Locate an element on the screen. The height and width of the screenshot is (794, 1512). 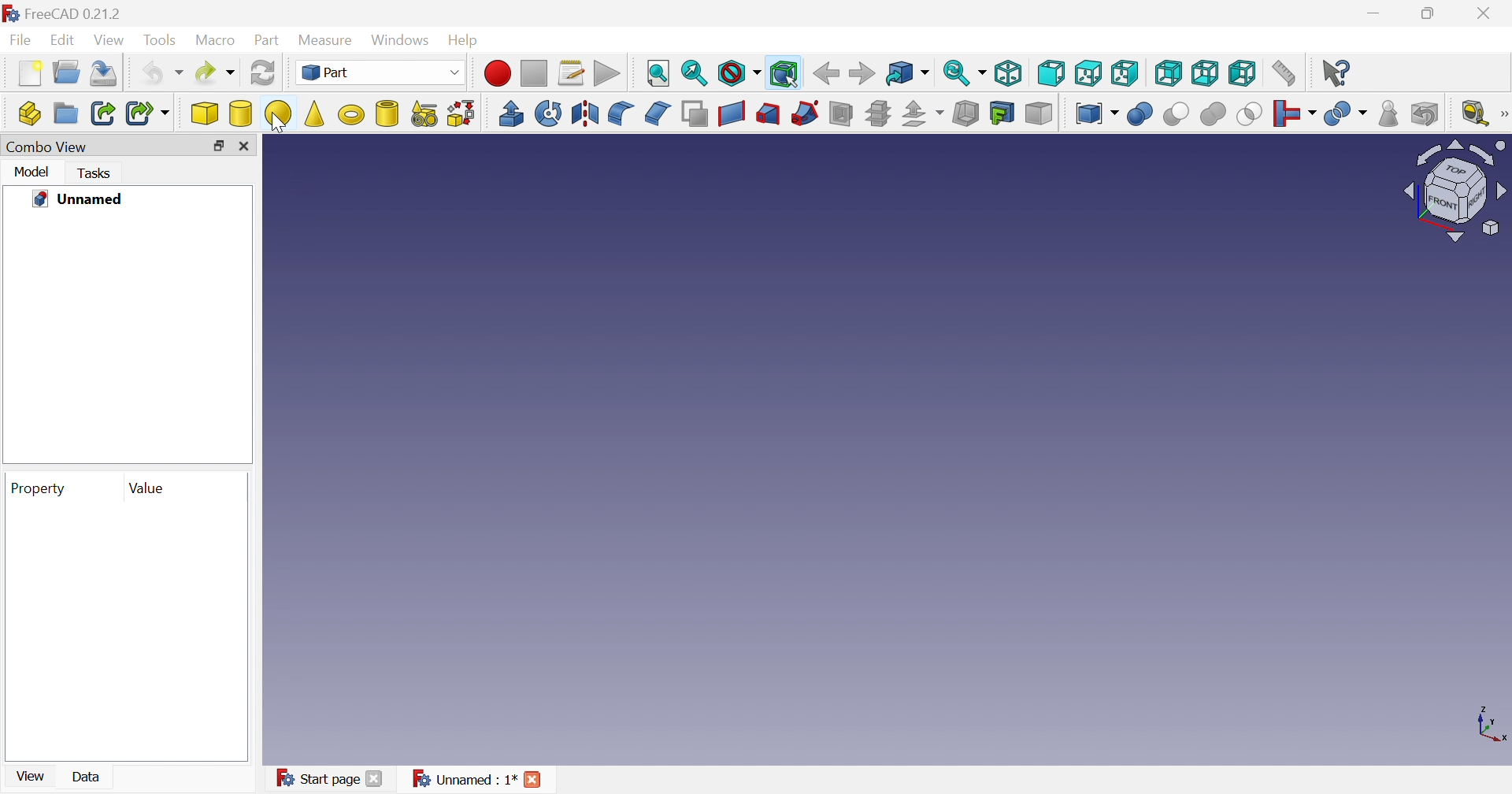
Sub-sections is located at coordinates (878, 112).